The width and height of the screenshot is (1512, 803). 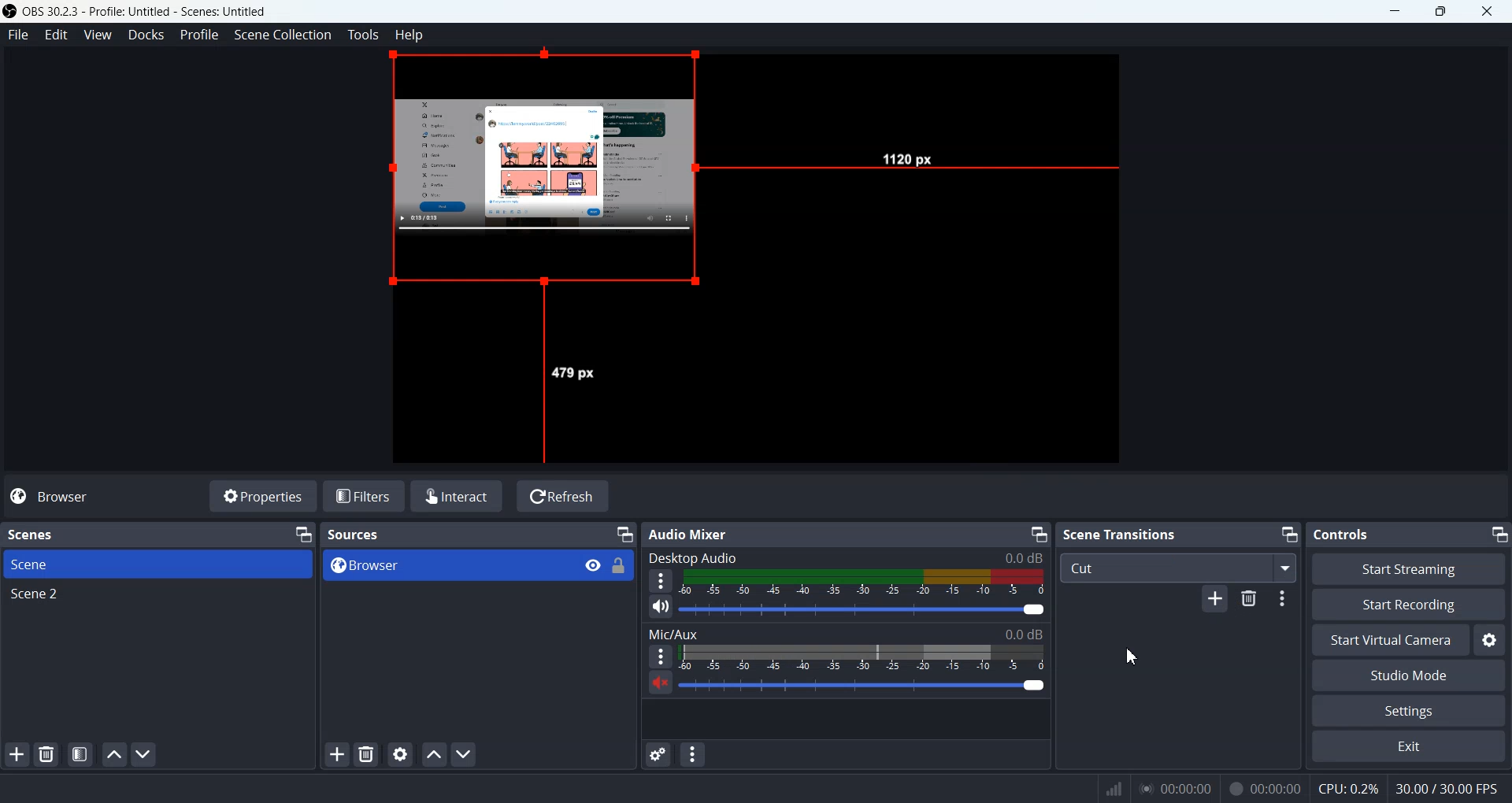 What do you see at coordinates (96, 35) in the screenshot?
I see `View` at bounding box center [96, 35].